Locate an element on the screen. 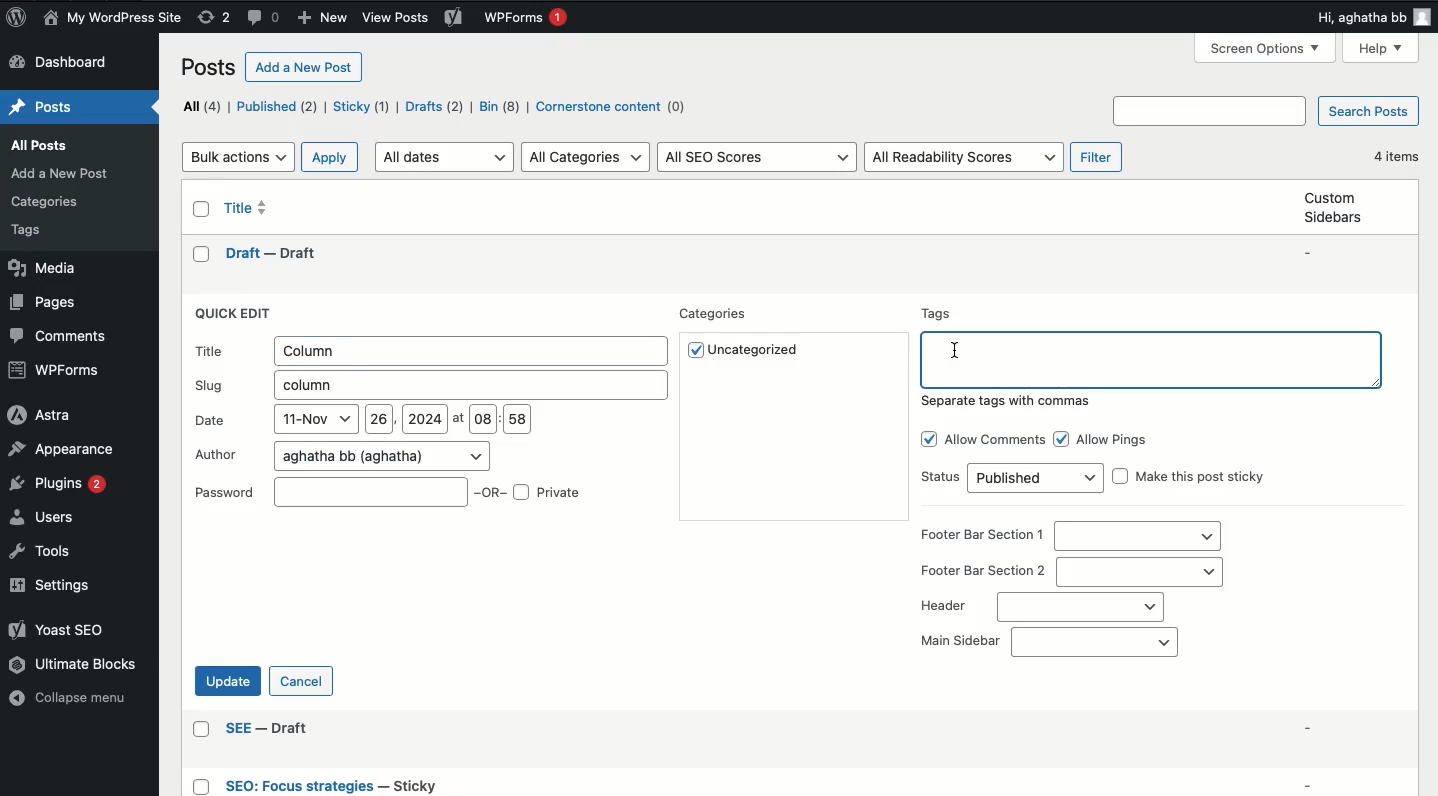 The height and width of the screenshot is (796, 1438). Footer bar section 1 is located at coordinates (1069, 537).